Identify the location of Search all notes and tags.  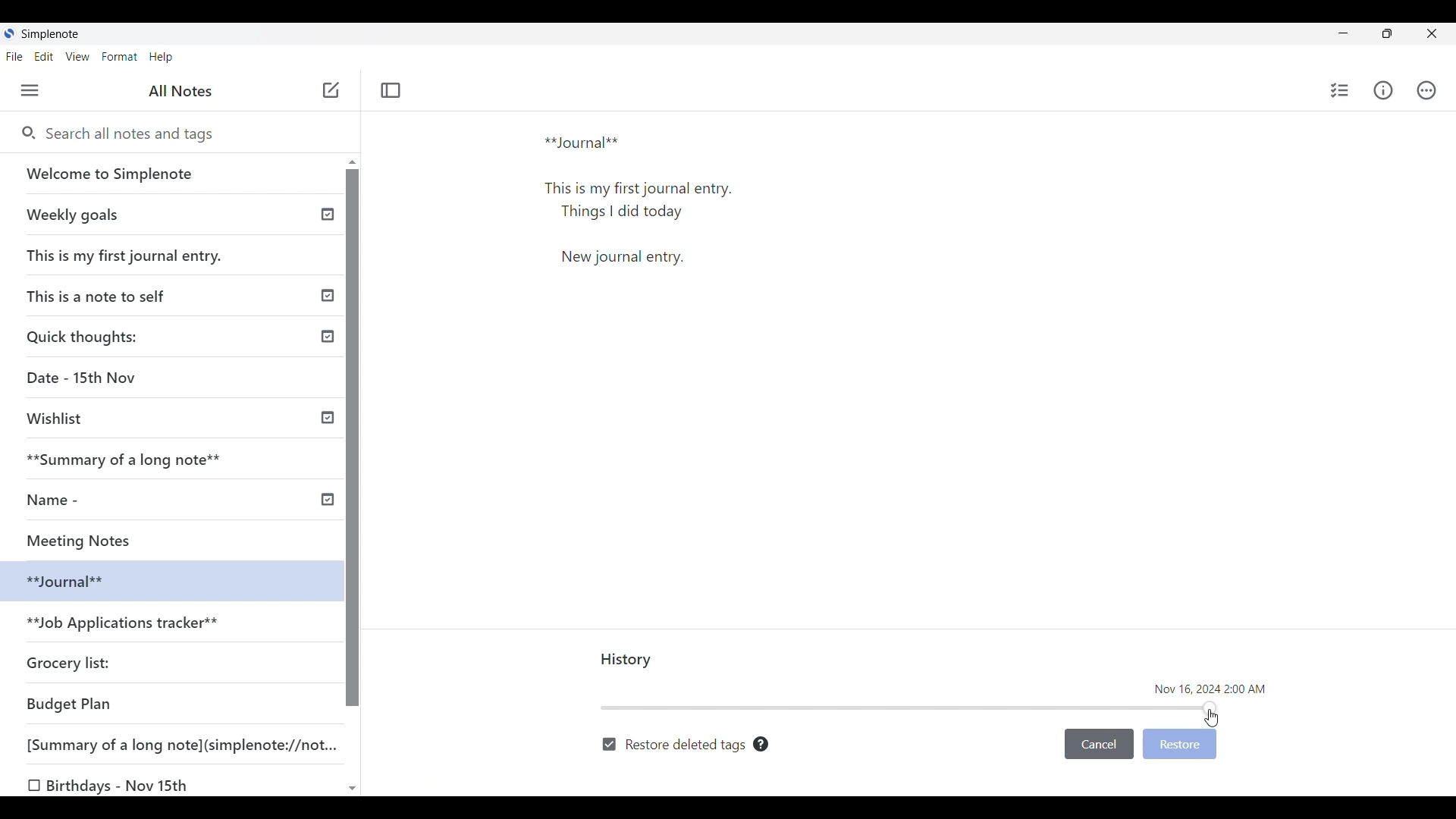
(189, 134).